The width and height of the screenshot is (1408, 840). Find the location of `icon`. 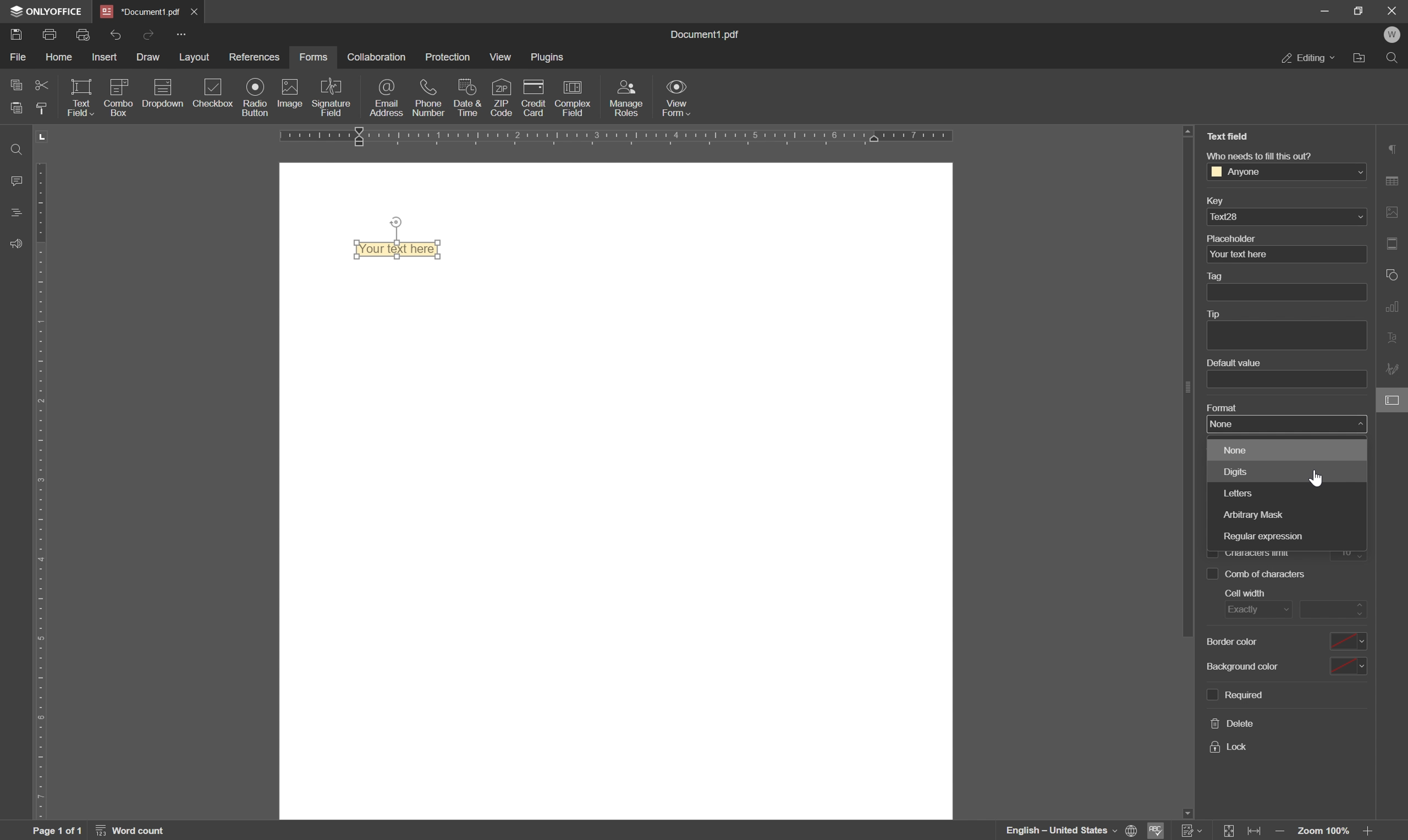

icon is located at coordinates (164, 86).